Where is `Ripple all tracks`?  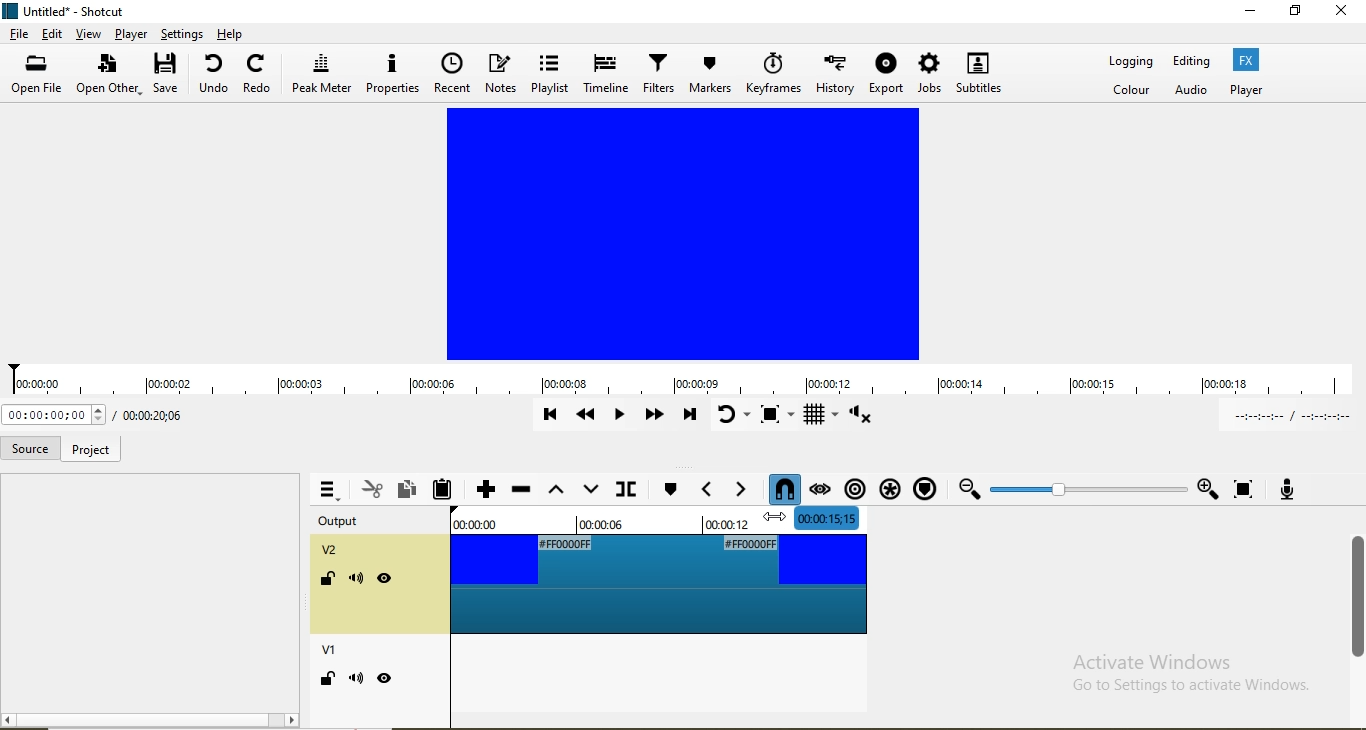
Ripple all tracks is located at coordinates (886, 484).